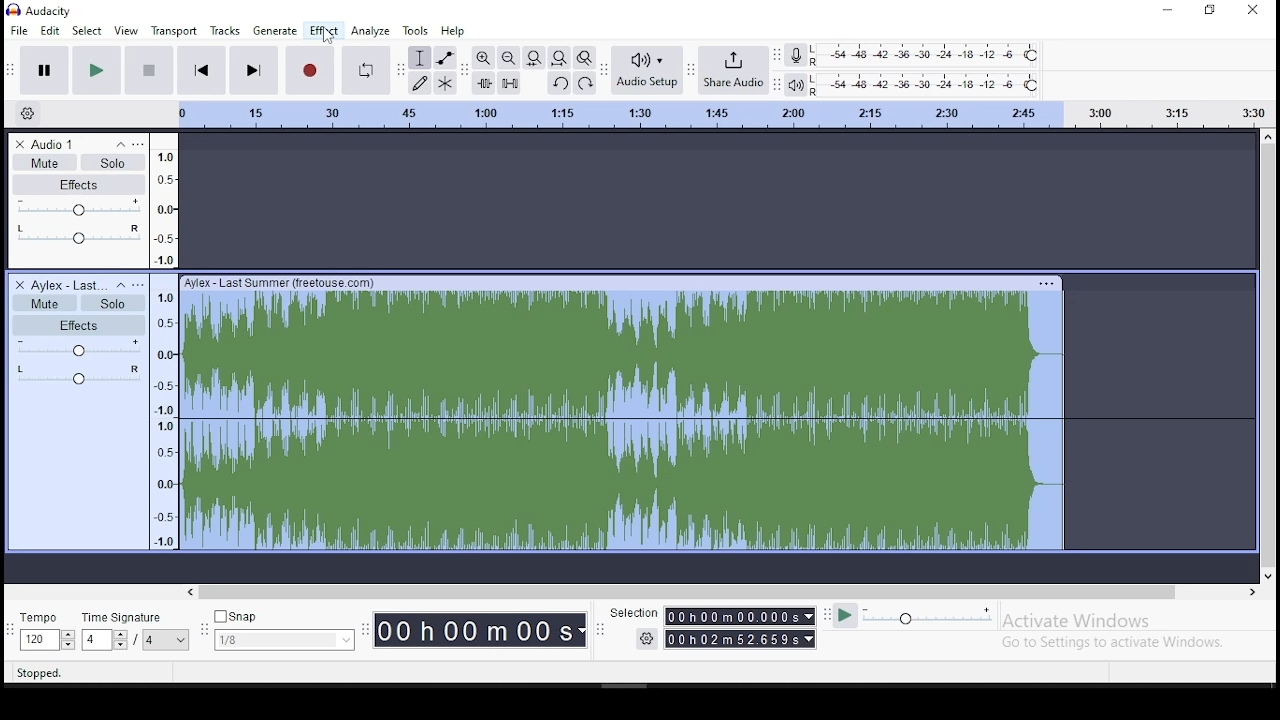 The height and width of the screenshot is (720, 1280). What do you see at coordinates (126, 32) in the screenshot?
I see `view` at bounding box center [126, 32].